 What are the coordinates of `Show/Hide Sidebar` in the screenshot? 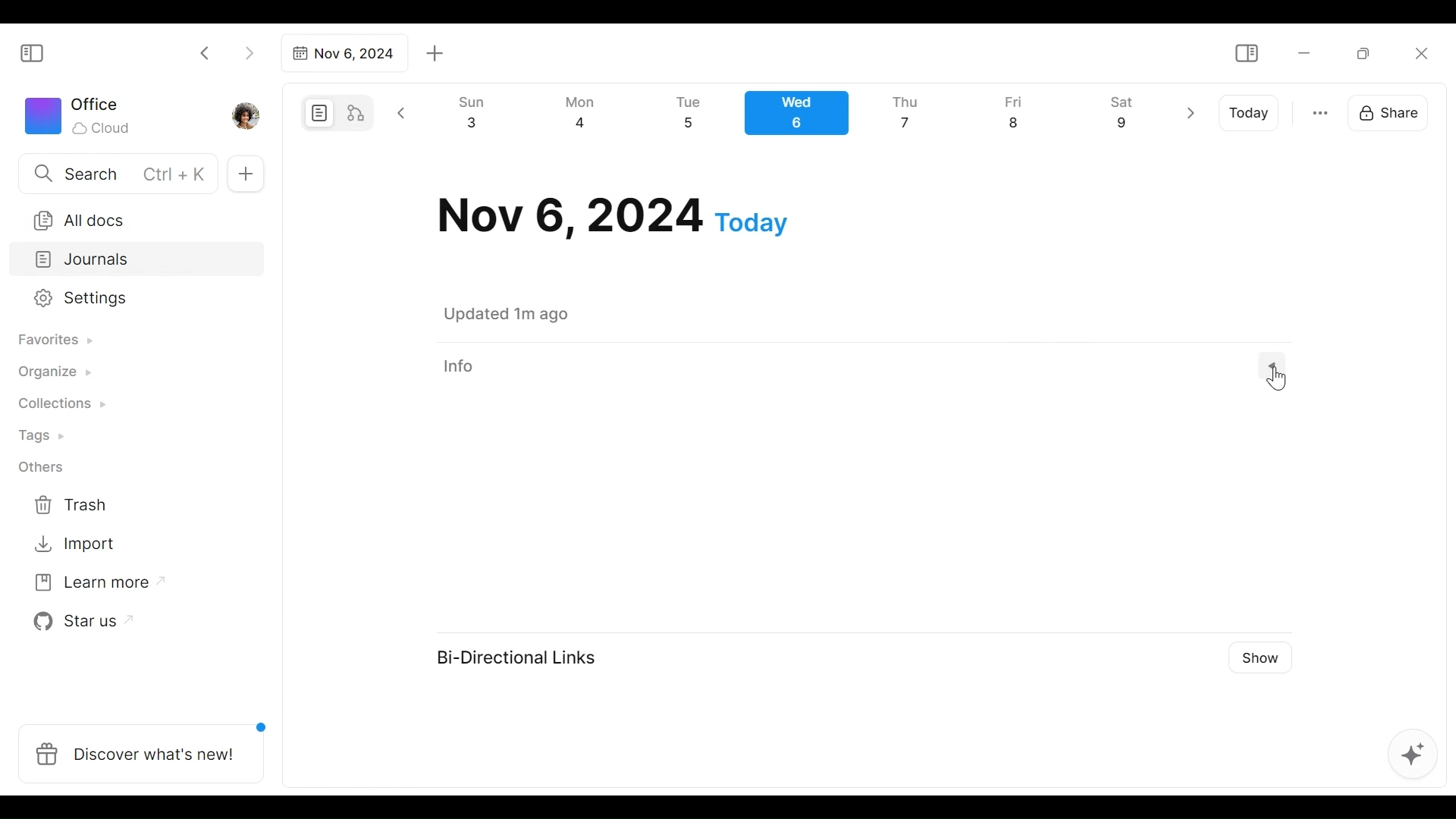 It's located at (1246, 54).